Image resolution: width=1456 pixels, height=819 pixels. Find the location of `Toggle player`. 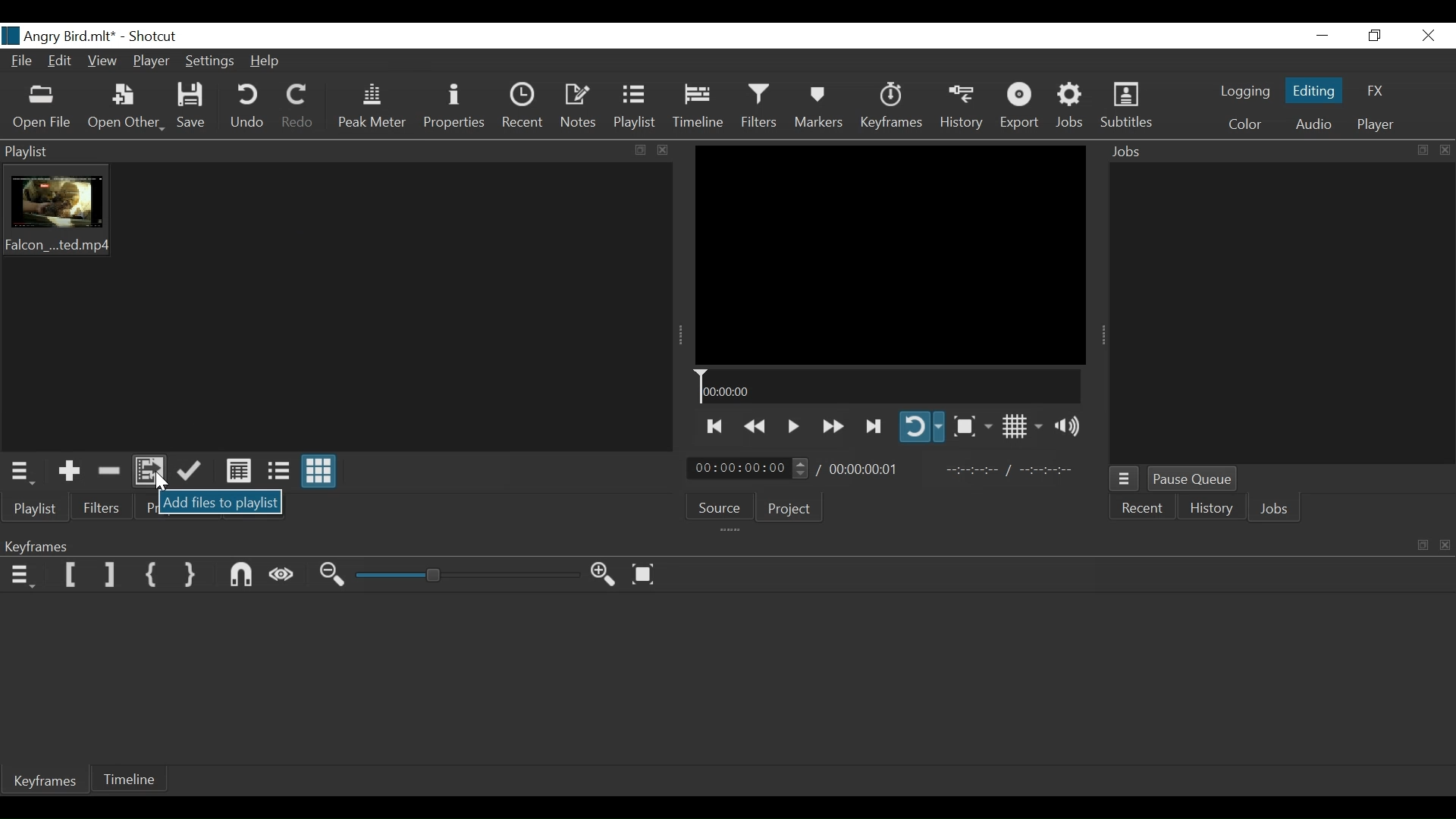

Toggle player is located at coordinates (922, 426).